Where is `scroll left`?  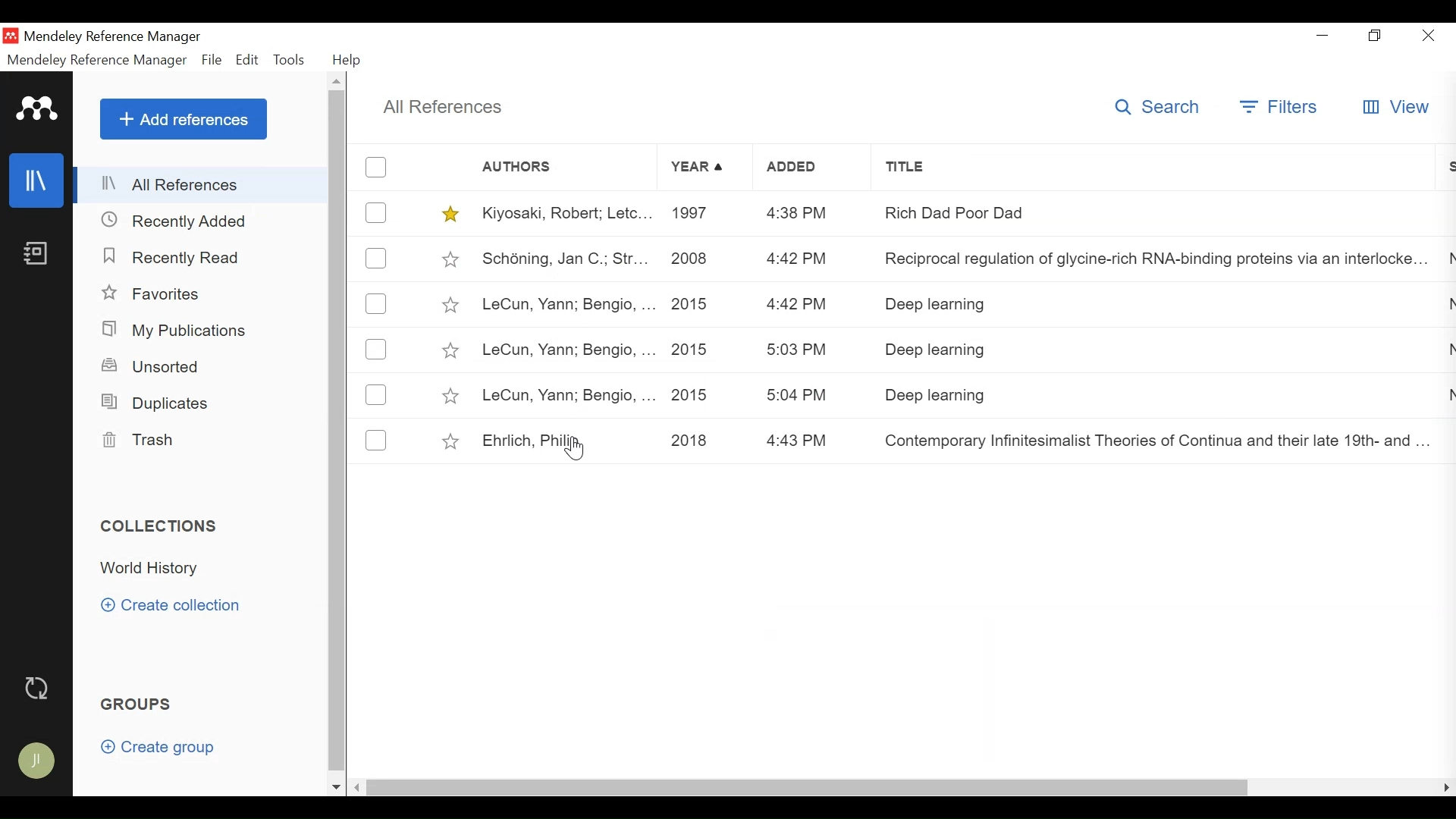
scroll left is located at coordinates (358, 787).